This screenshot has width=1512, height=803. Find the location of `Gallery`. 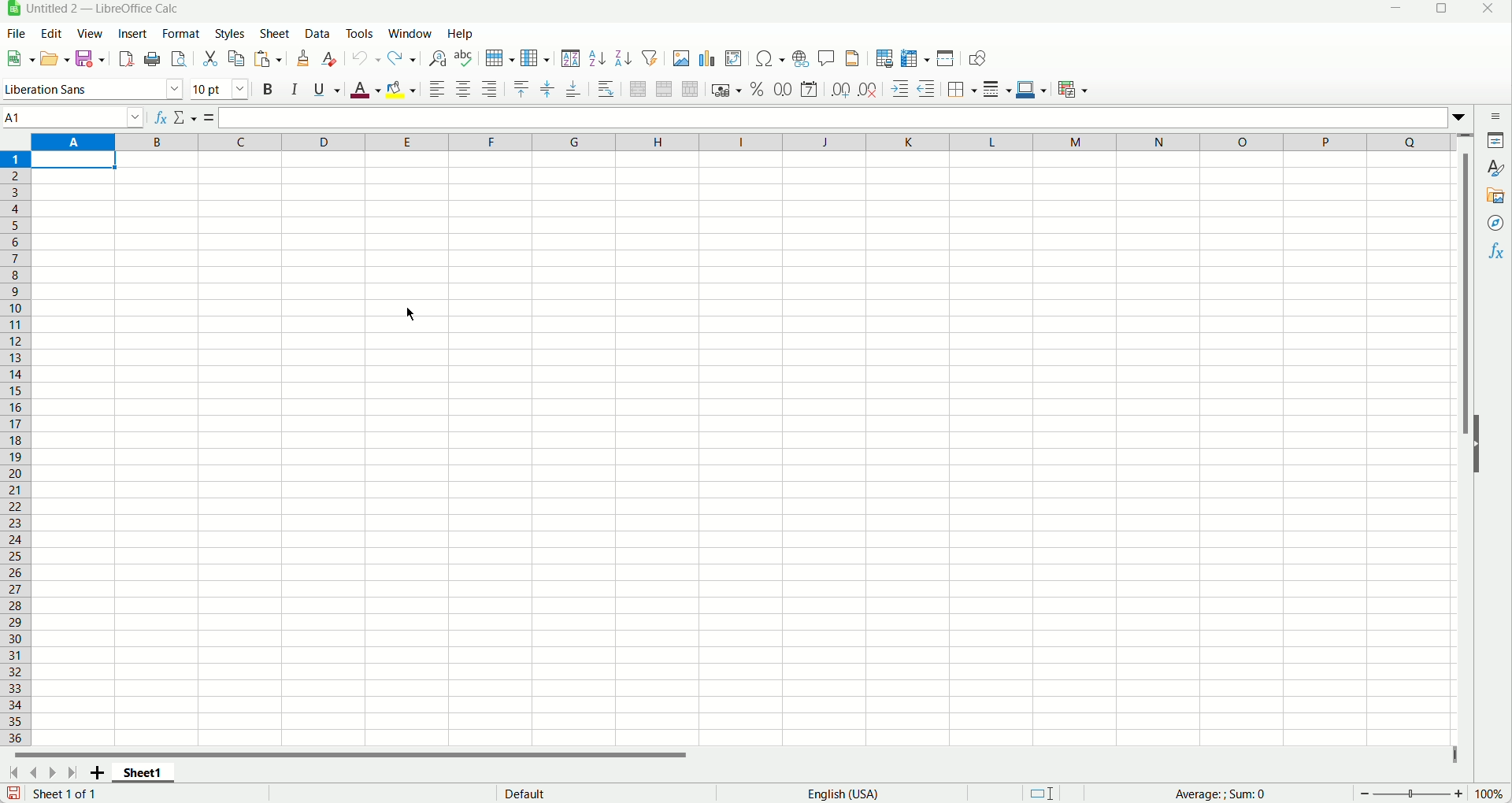

Gallery is located at coordinates (1495, 198).